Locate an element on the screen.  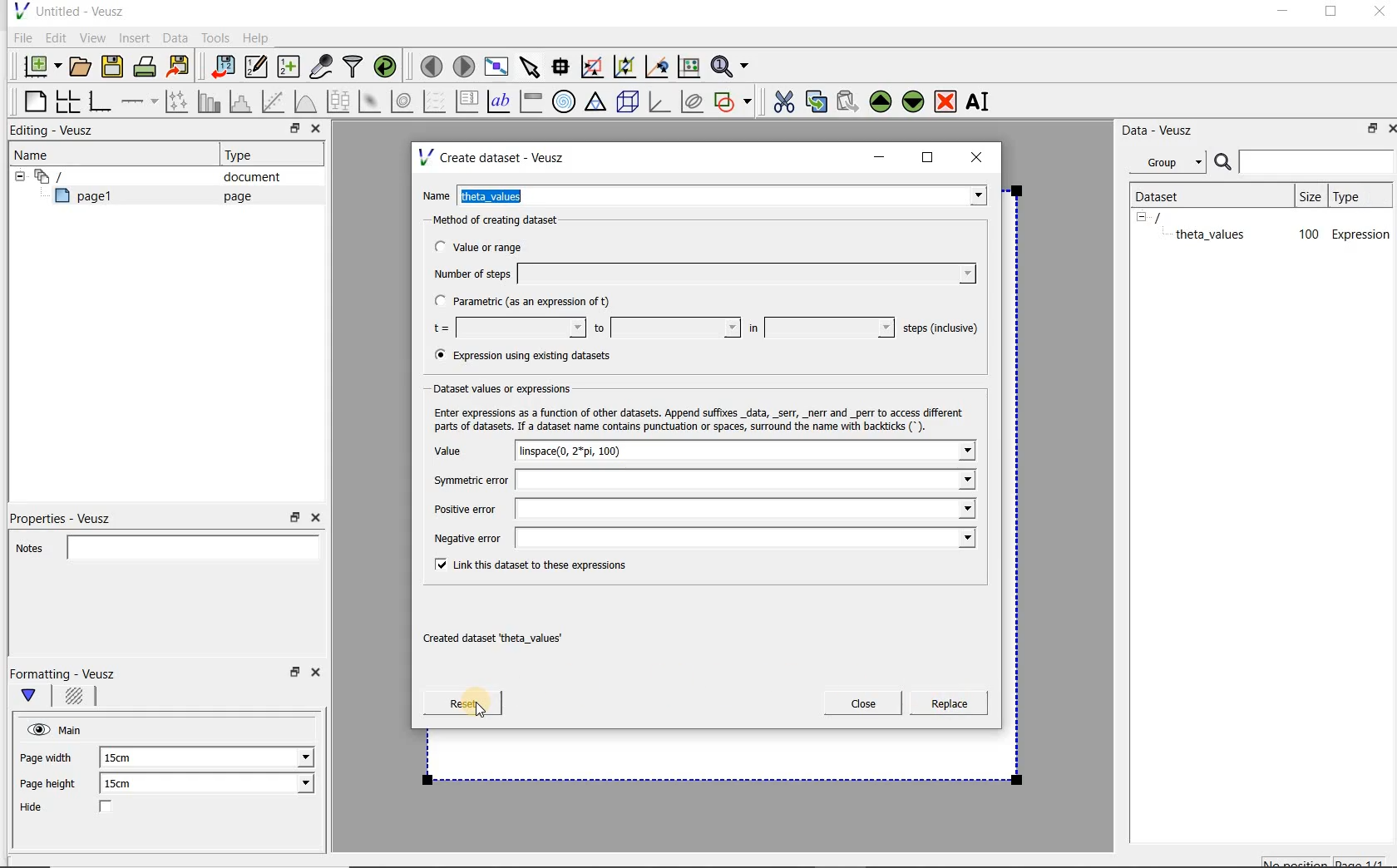
click to zoom out of graph axes is located at coordinates (625, 67).